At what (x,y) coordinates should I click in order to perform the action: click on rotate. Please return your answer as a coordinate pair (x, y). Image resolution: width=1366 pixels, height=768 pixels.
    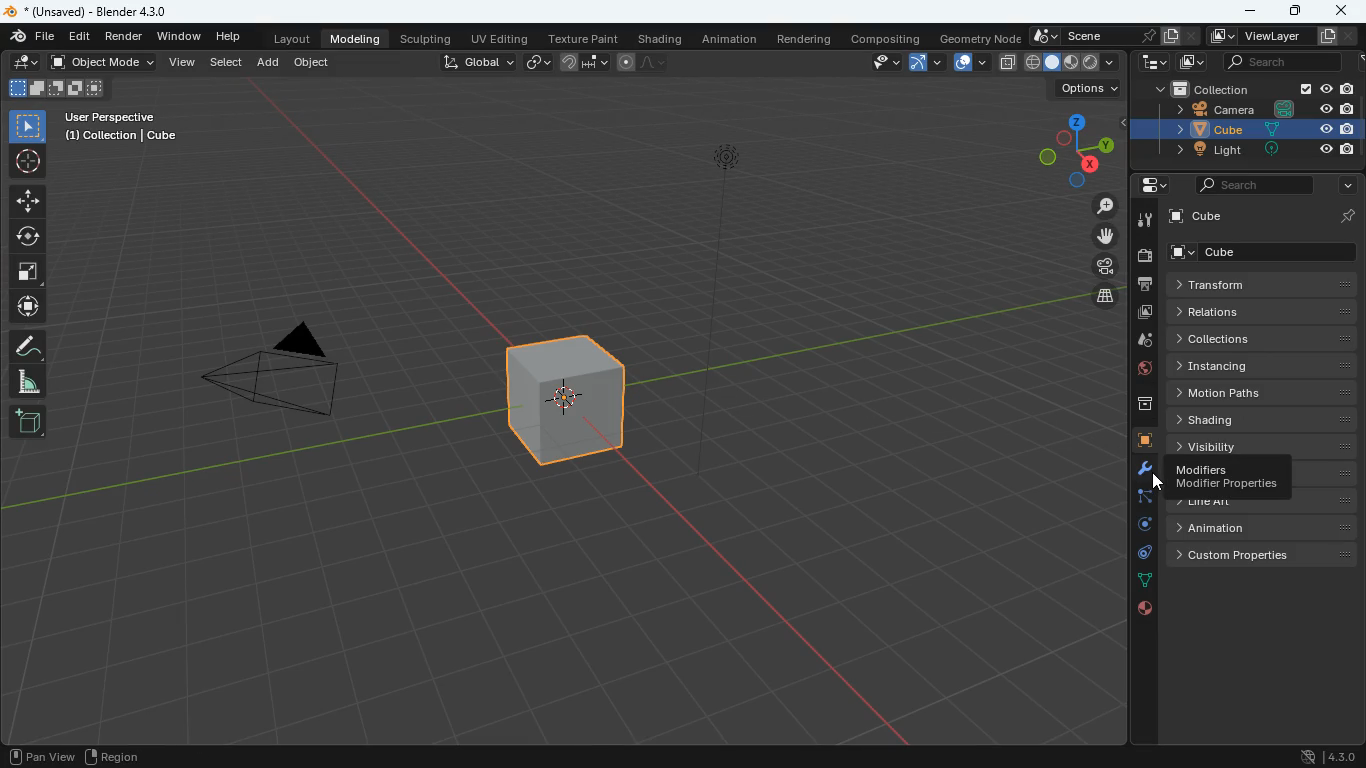
    Looking at the image, I should click on (28, 236).